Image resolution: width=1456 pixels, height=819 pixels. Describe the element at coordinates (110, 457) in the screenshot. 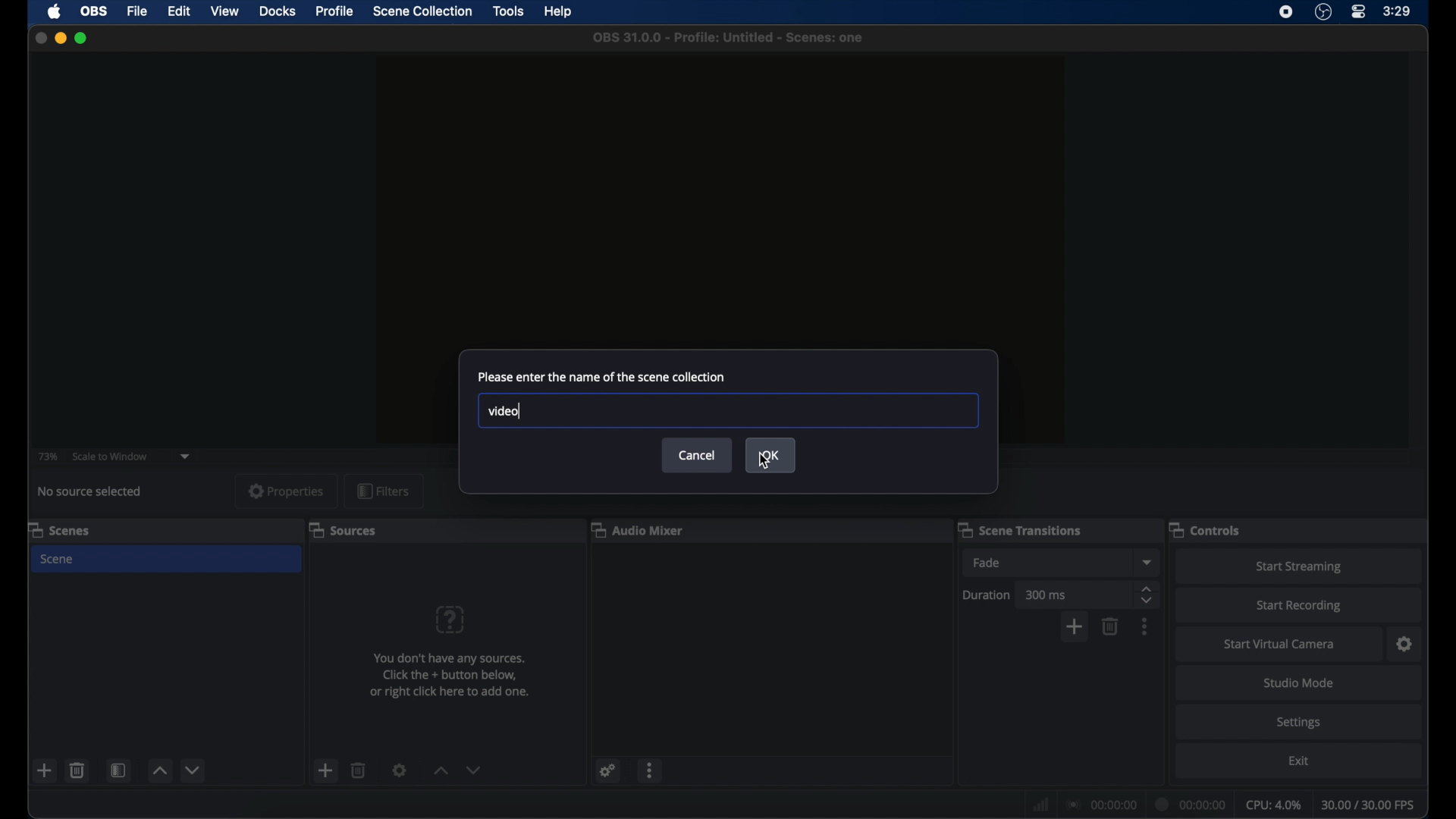

I see `scale to window` at that location.